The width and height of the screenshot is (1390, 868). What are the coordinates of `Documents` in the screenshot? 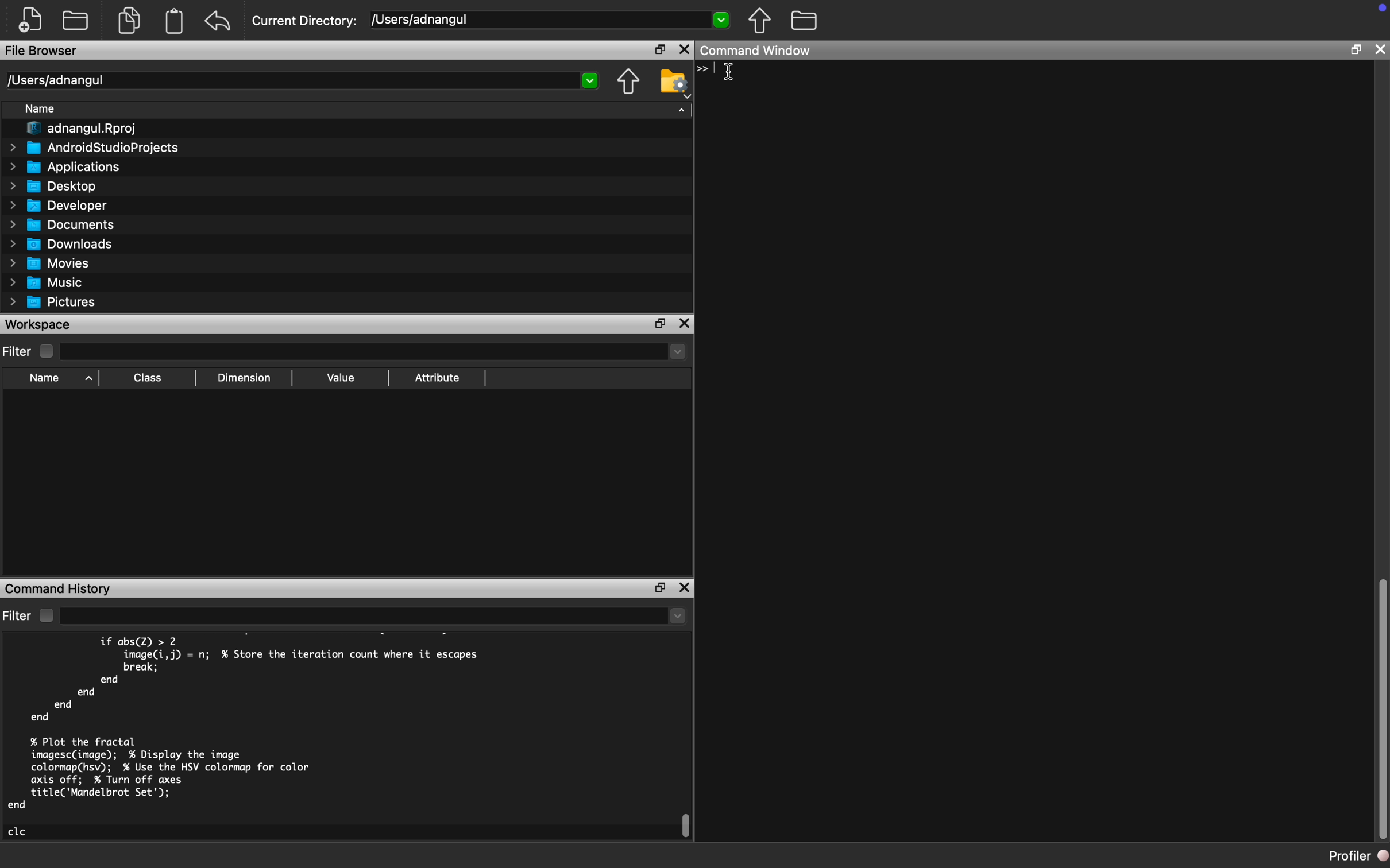 It's located at (63, 226).